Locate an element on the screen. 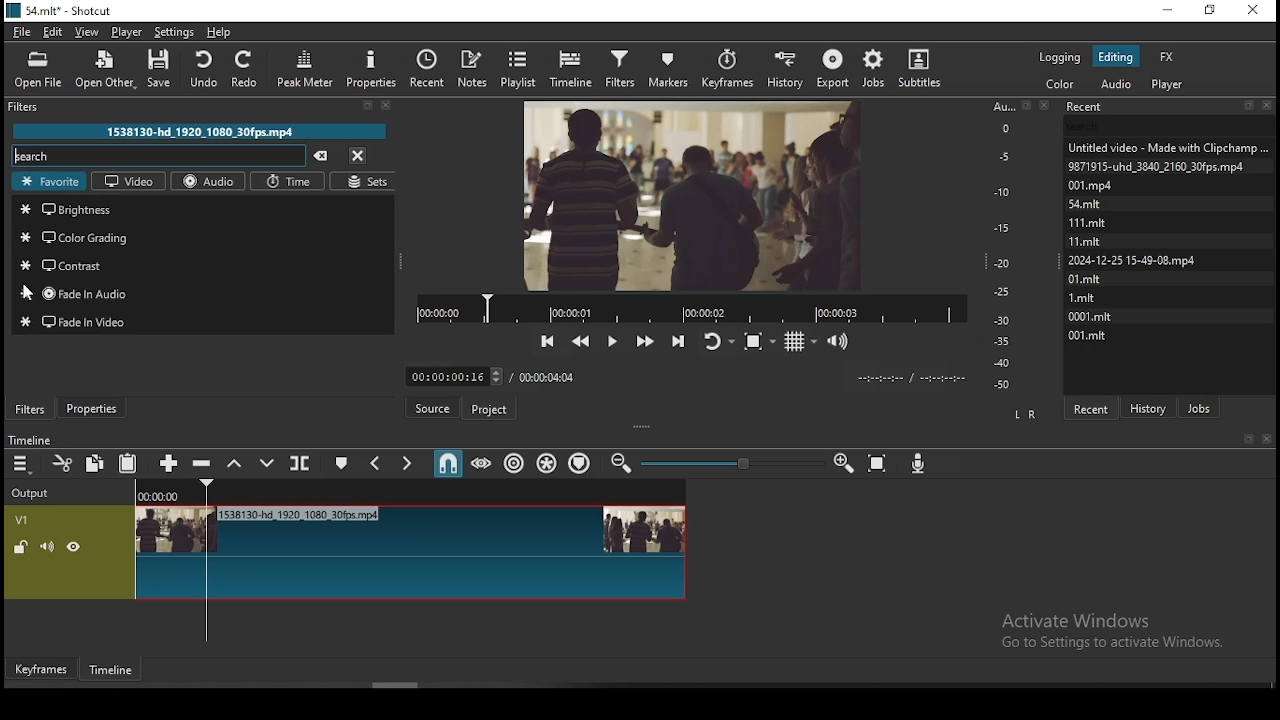 Image resolution: width=1280 pixels, height=720 pixels. 1538130-hd_1920_1080_30fps.mp4 is located at coordinates (201, 131).